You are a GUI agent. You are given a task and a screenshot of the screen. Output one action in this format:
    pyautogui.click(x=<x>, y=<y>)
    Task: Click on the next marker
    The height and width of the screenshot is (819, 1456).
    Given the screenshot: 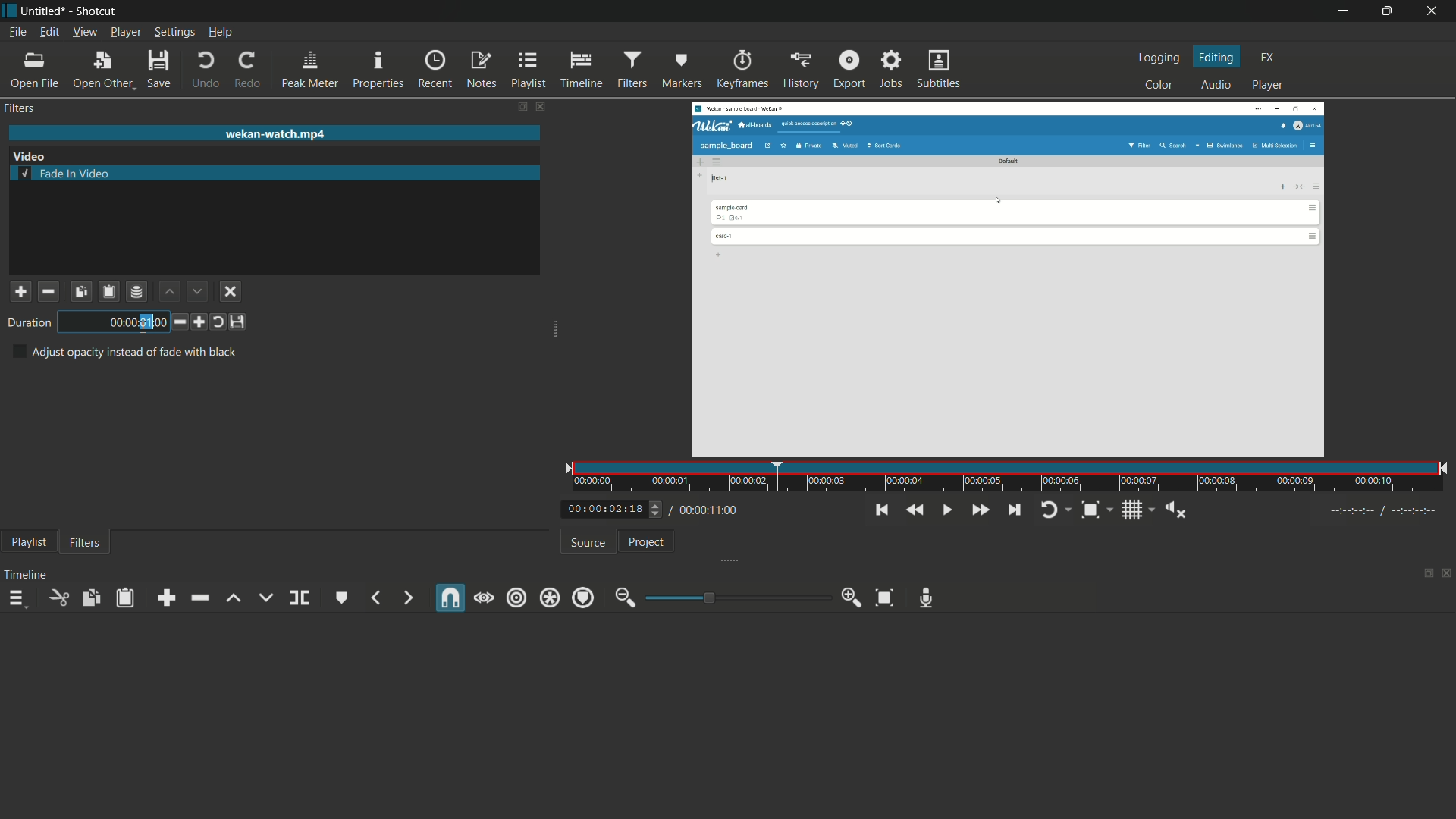 What is the action you would take?
    pyautogui.click(x=404, y=598)
    